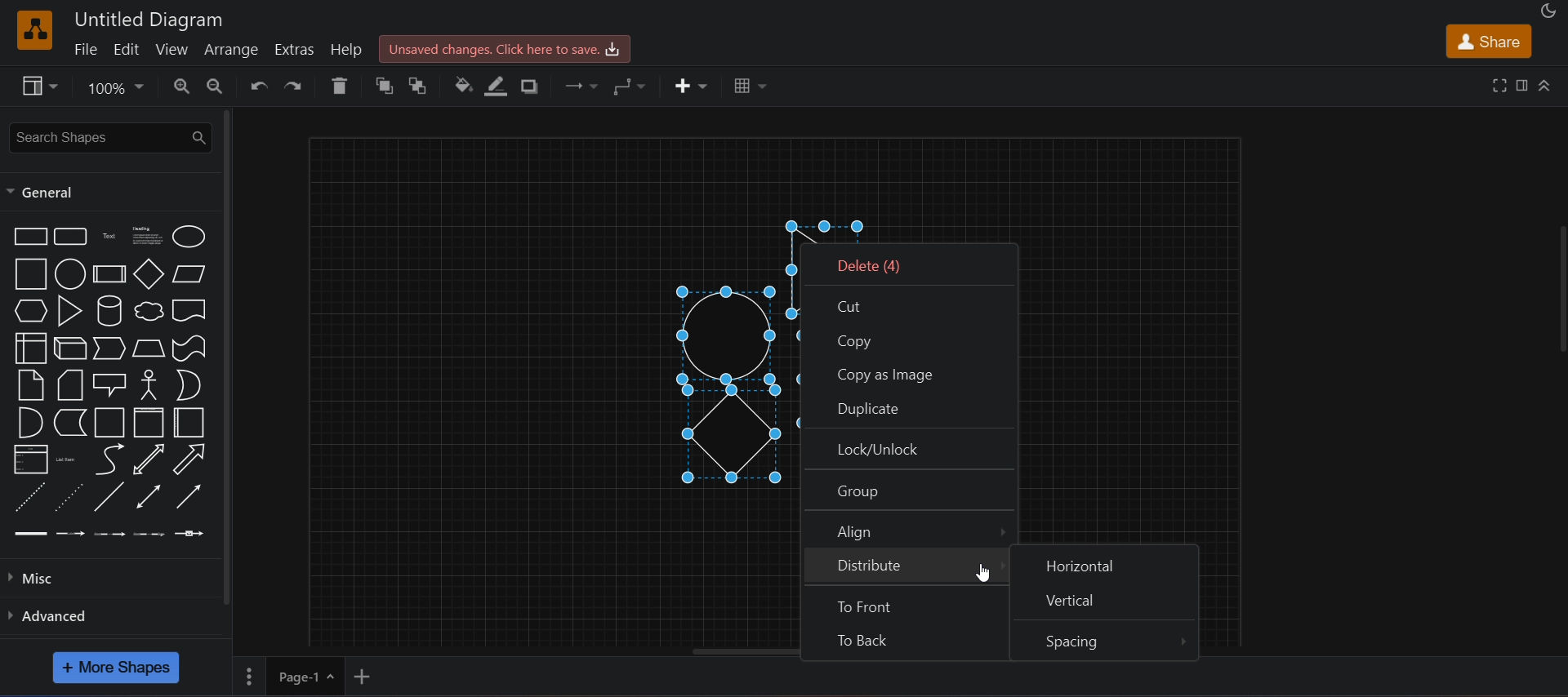  What do you see at coordinates (145, 497) in the screenshot?
I see `bidirectional connector` at bounding box center [145, 497].